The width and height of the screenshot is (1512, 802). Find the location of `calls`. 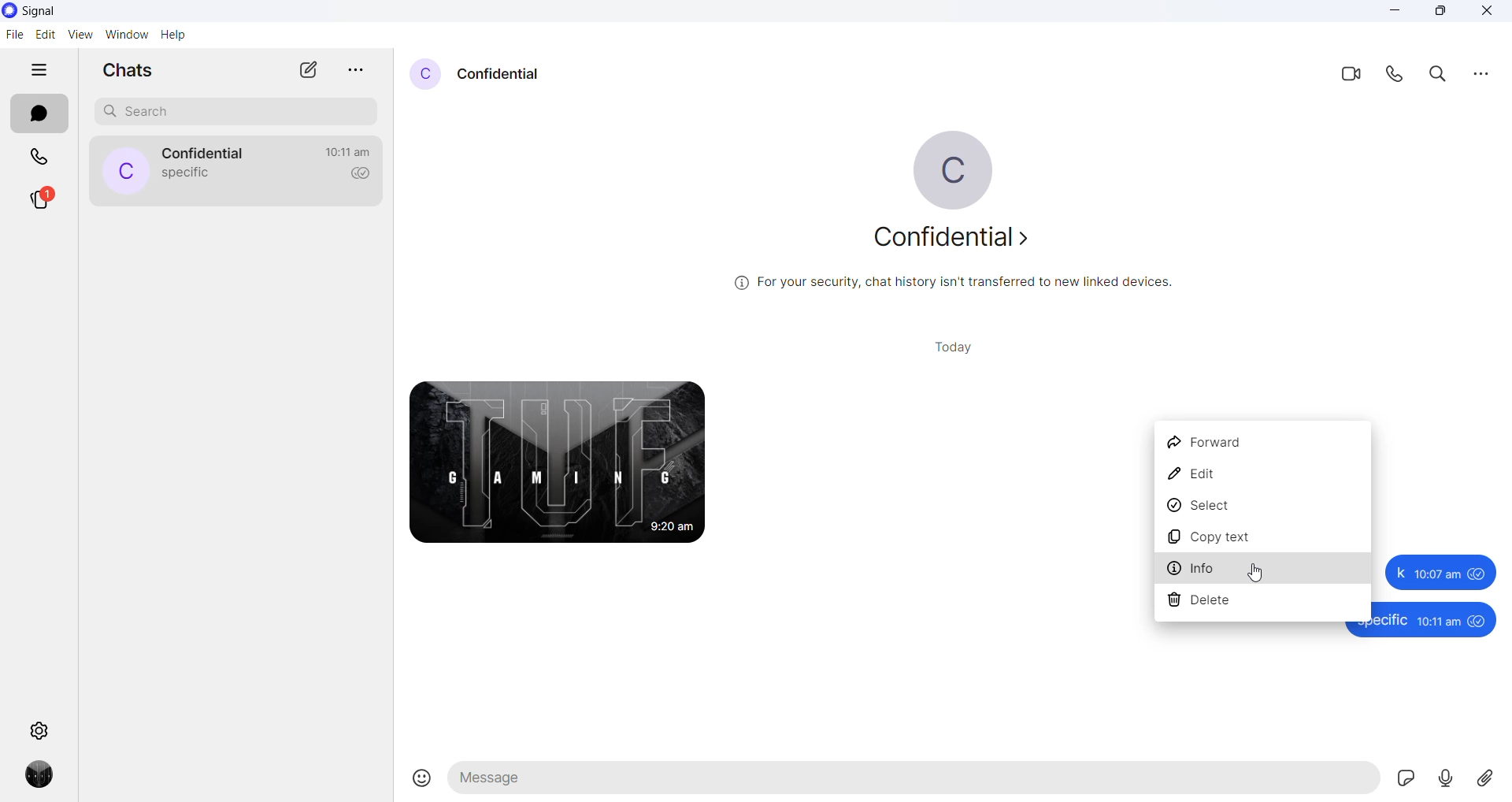

calls is located at coordinates (37, 157).